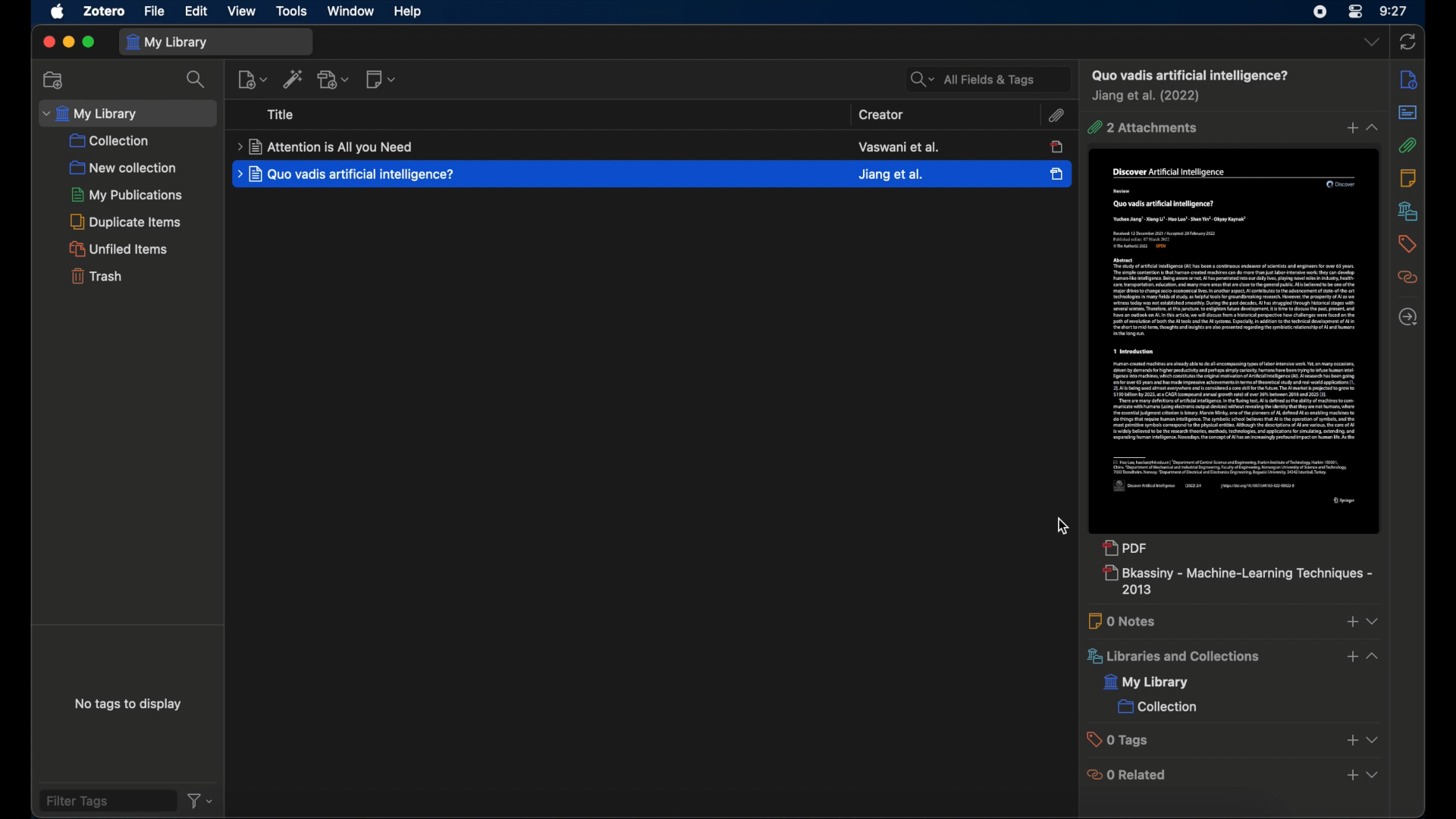  What do you see at coordinates (1178, 656) in the screenshot?
I see `libraries and collections` at bounding box center [1178, 656].